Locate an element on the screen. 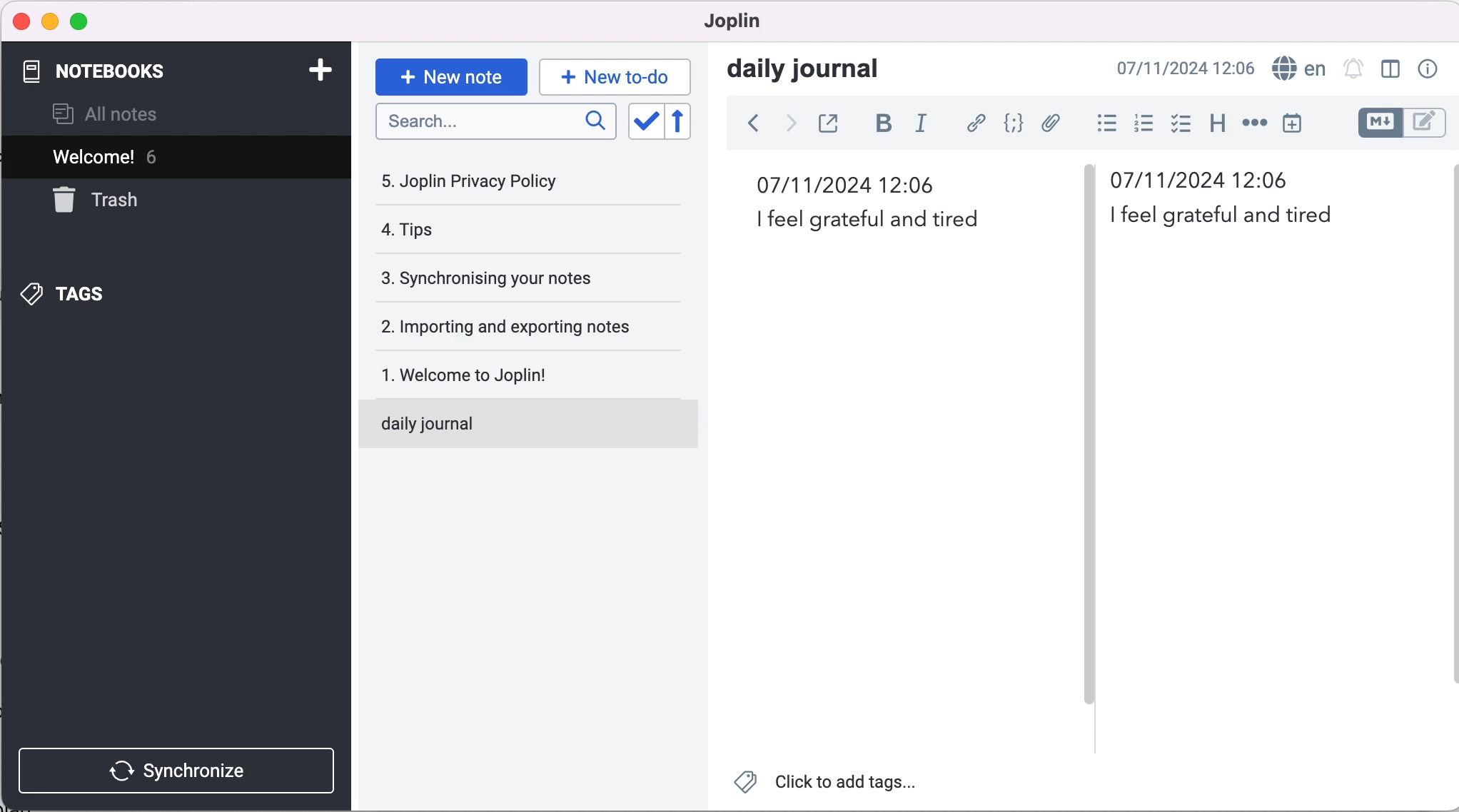 This screenshot has height=812, width=1459. daily journal  is located at coordinates (505, 421).